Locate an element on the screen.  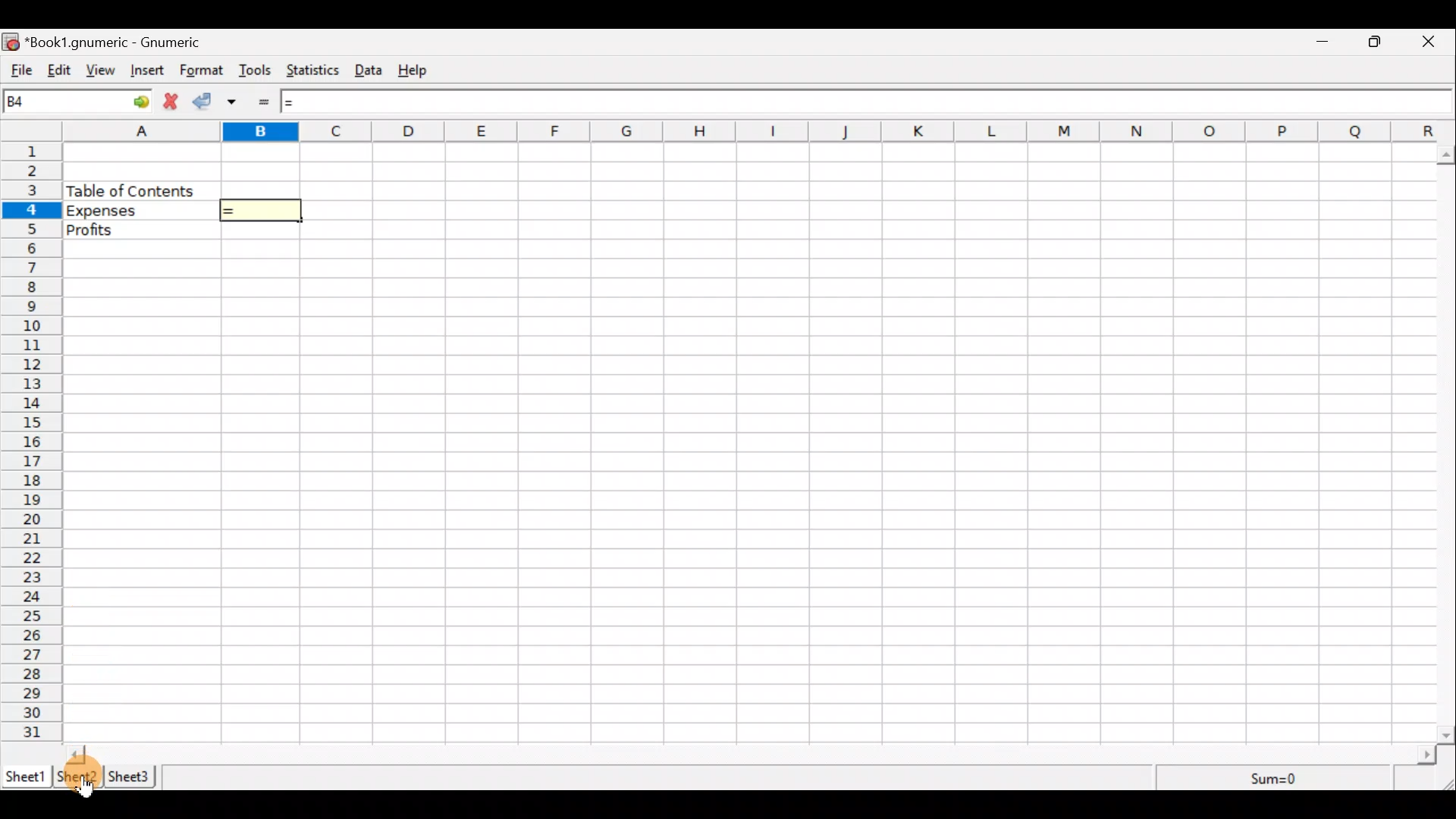
Profits is located at coordinates (142, 230).